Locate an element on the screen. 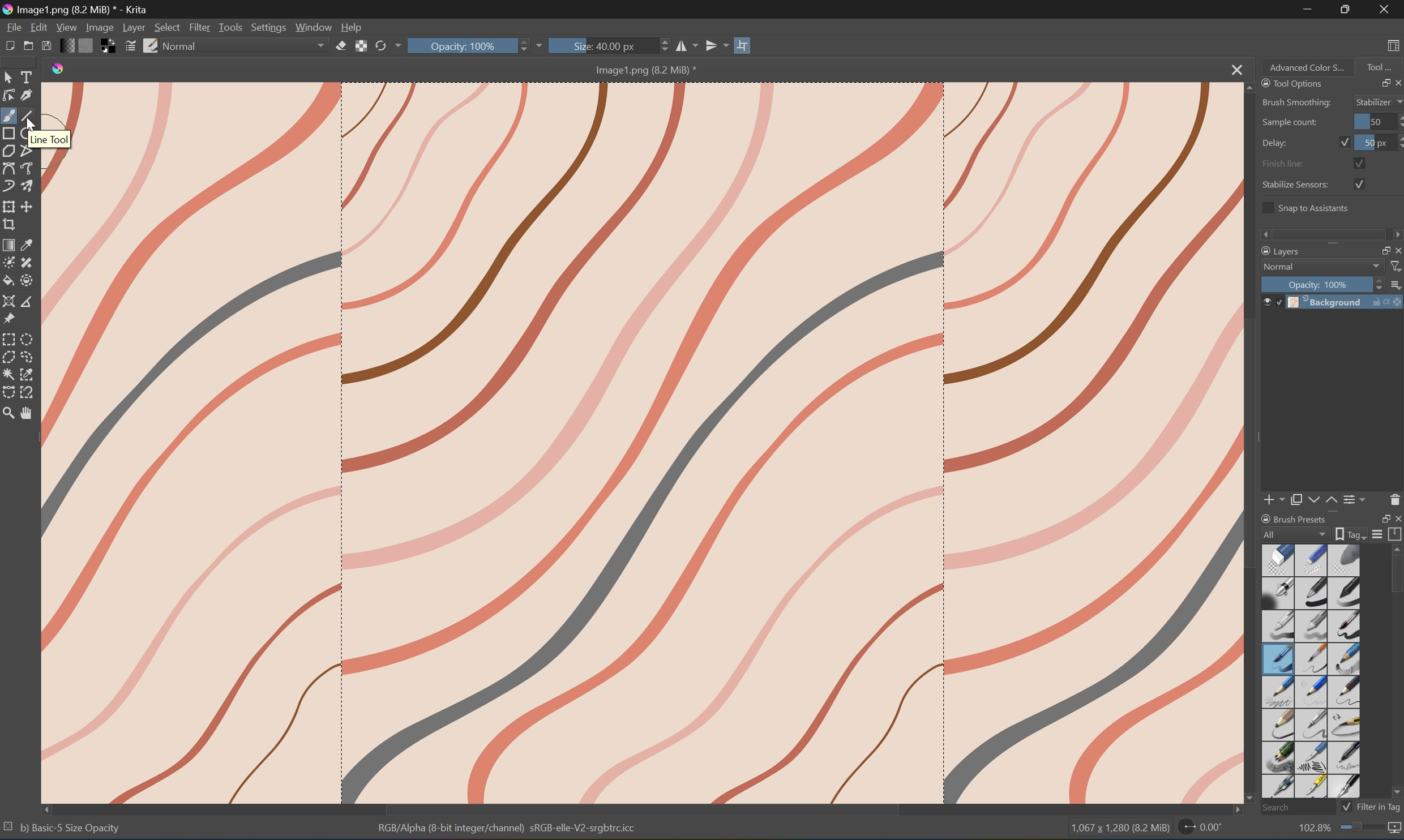 Image resolution: width=1404 pixels, height=840 pixels. Open existing document is located at coordinates (28, 47).